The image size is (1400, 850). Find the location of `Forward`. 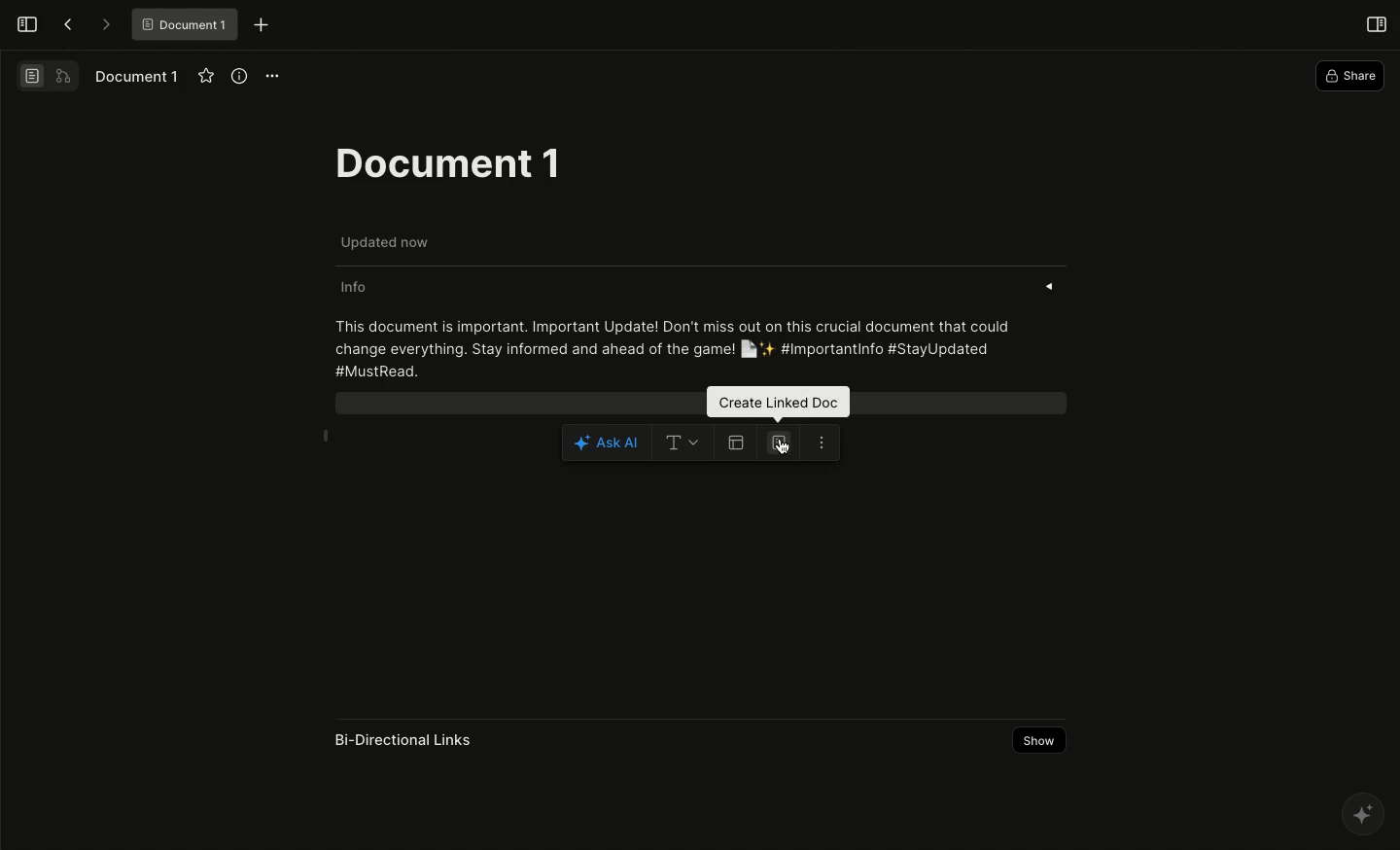

Forward is located at coordinates (104, 24).